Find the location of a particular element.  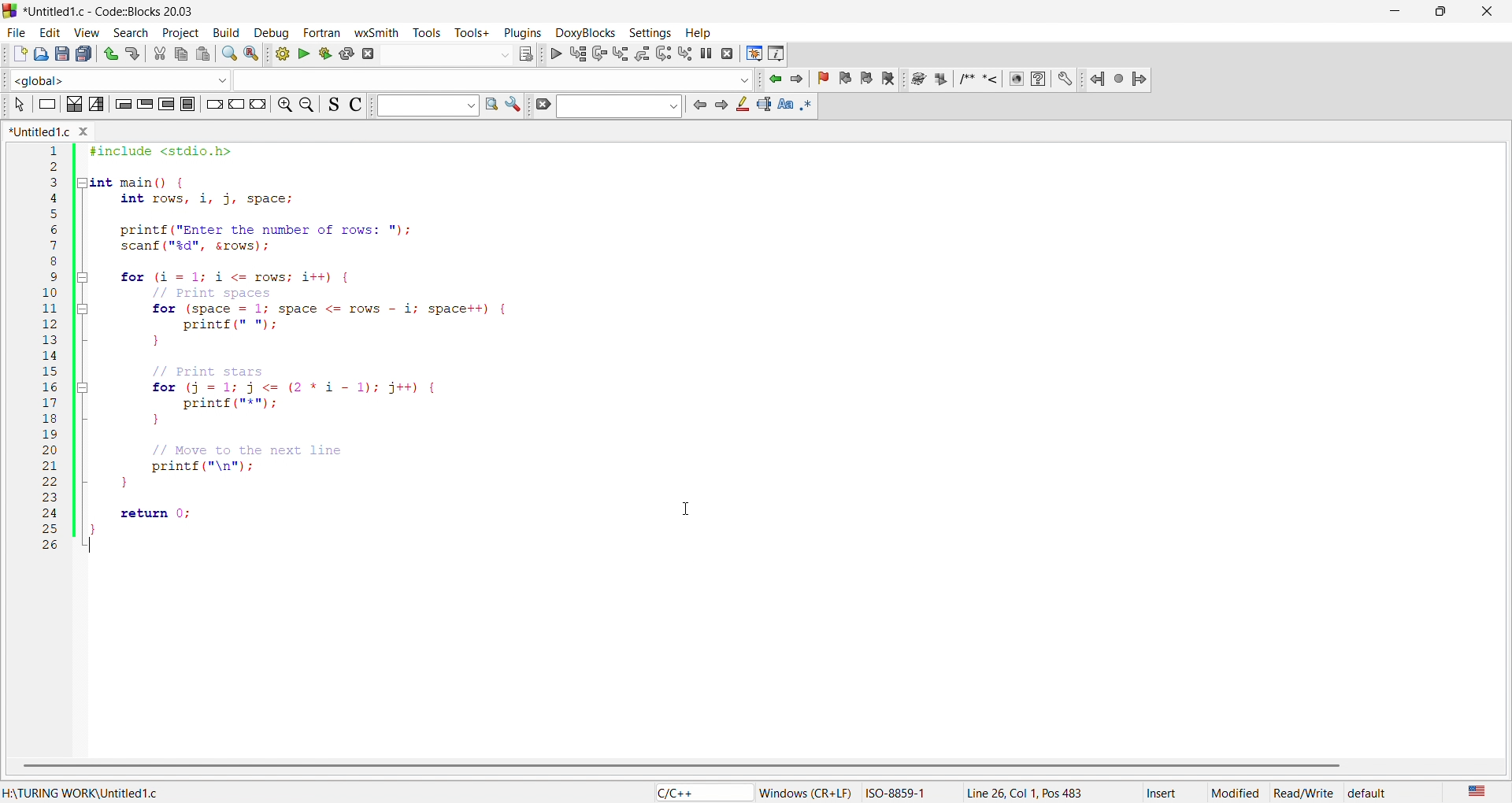

jump backward is located at coordinates (774, 81).